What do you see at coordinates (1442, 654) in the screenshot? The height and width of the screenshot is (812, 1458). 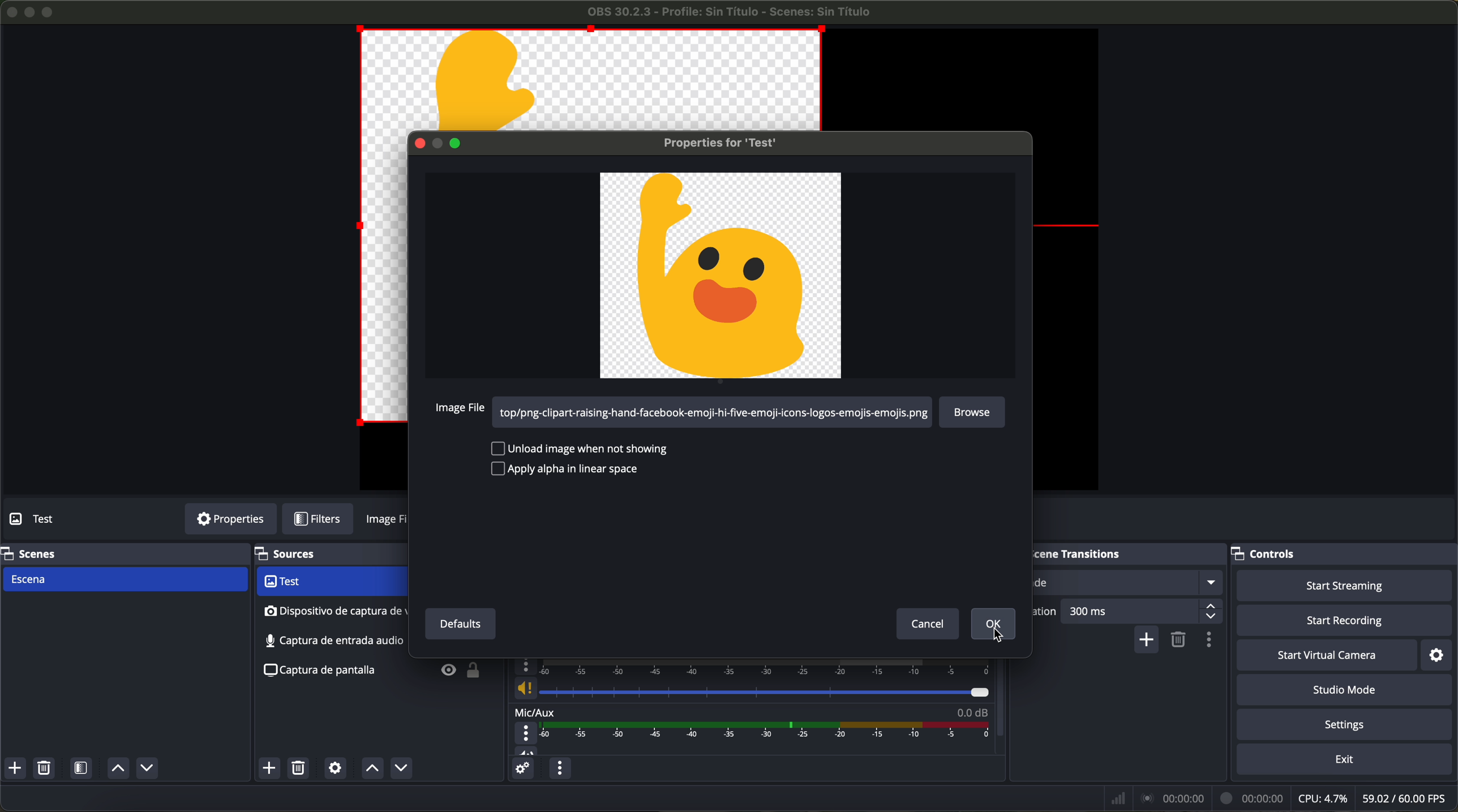 I see `settings` at bounding box center [1442, 654].